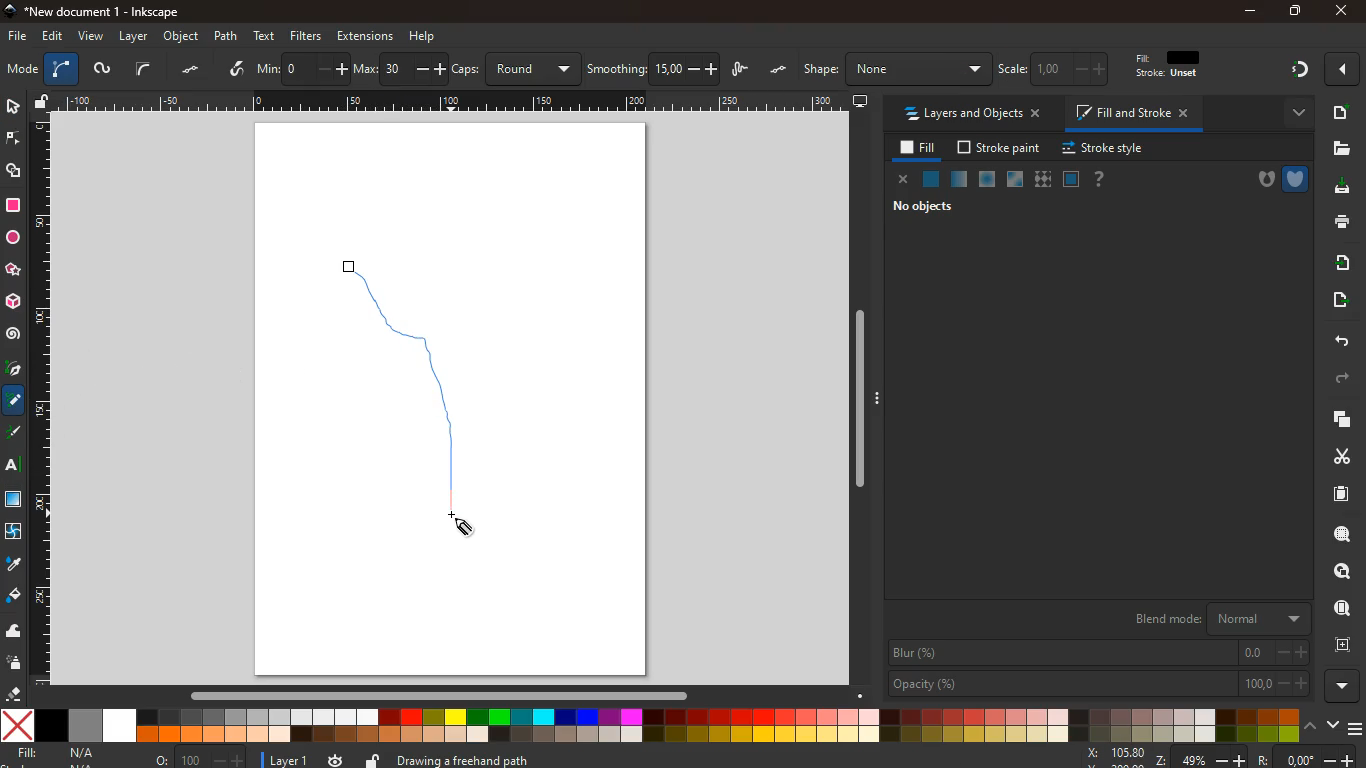 Image resolution: width=1366 pixels, height=768 pixels. What do you see at coordinates (1223, 619) in the screenshot?
I see `blend mode` at bounding box center [1223, 619].